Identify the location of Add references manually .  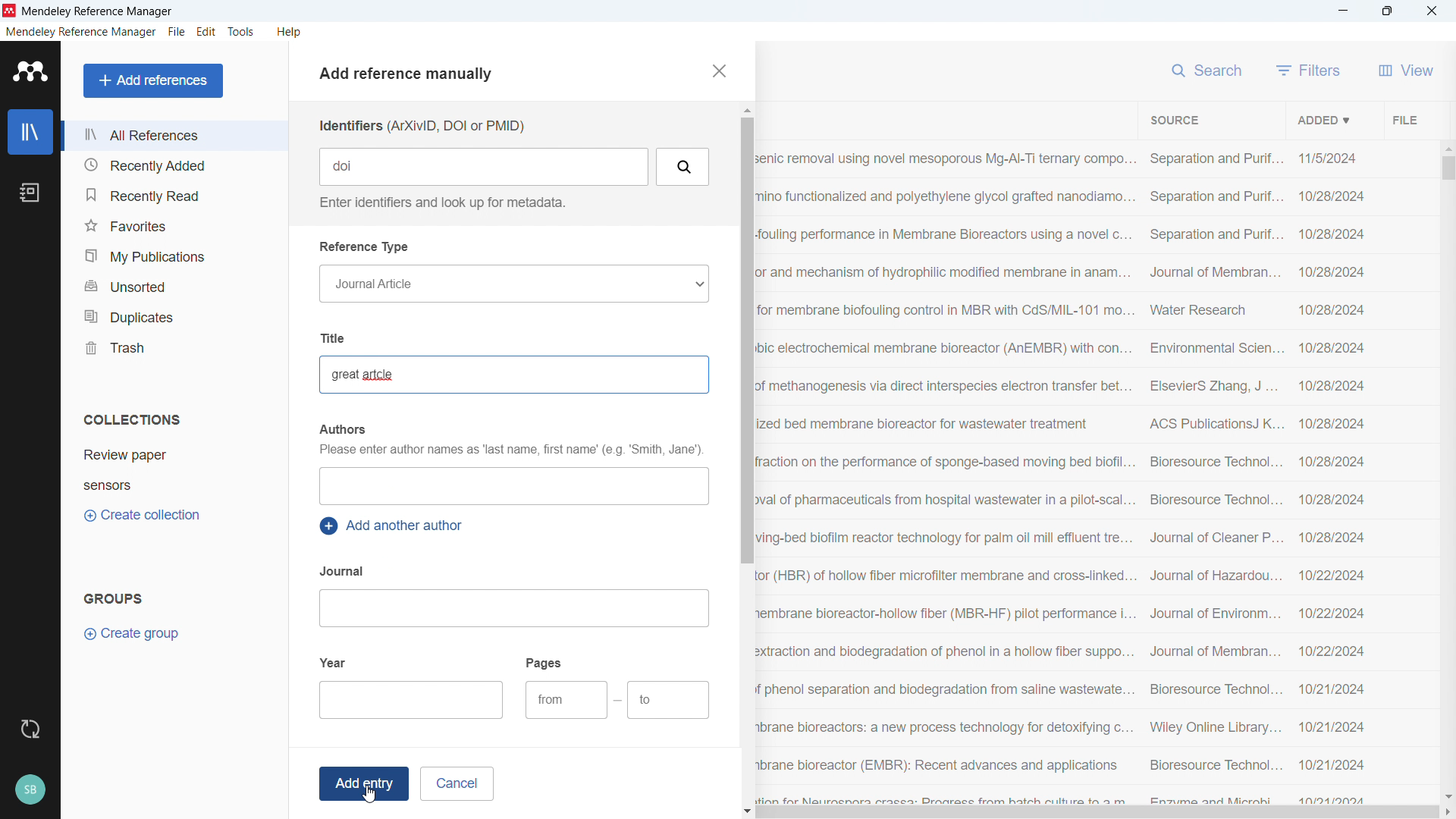
(412, 76).